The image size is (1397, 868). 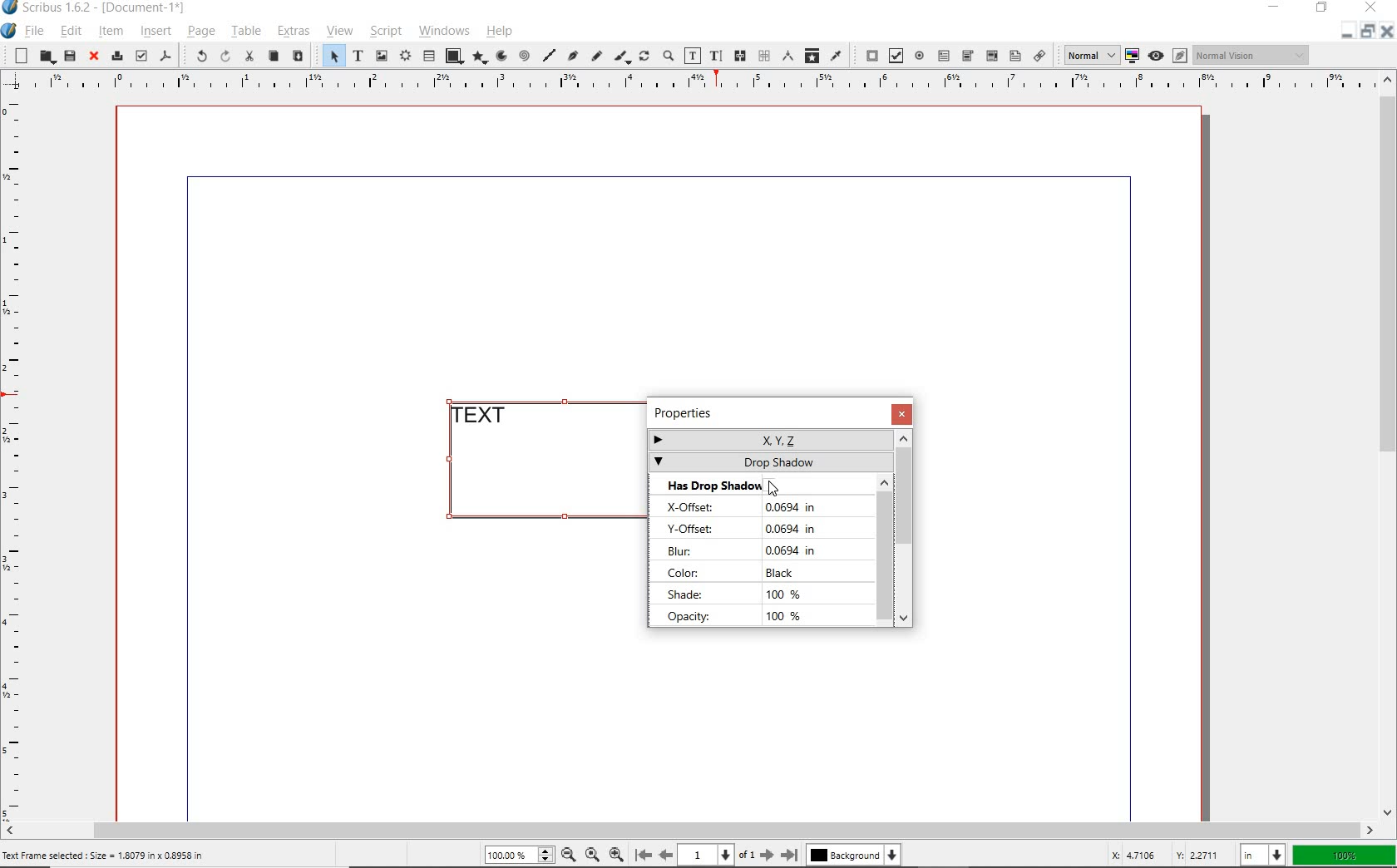 I want to click on scrollbar, so click(x=884, y=550).